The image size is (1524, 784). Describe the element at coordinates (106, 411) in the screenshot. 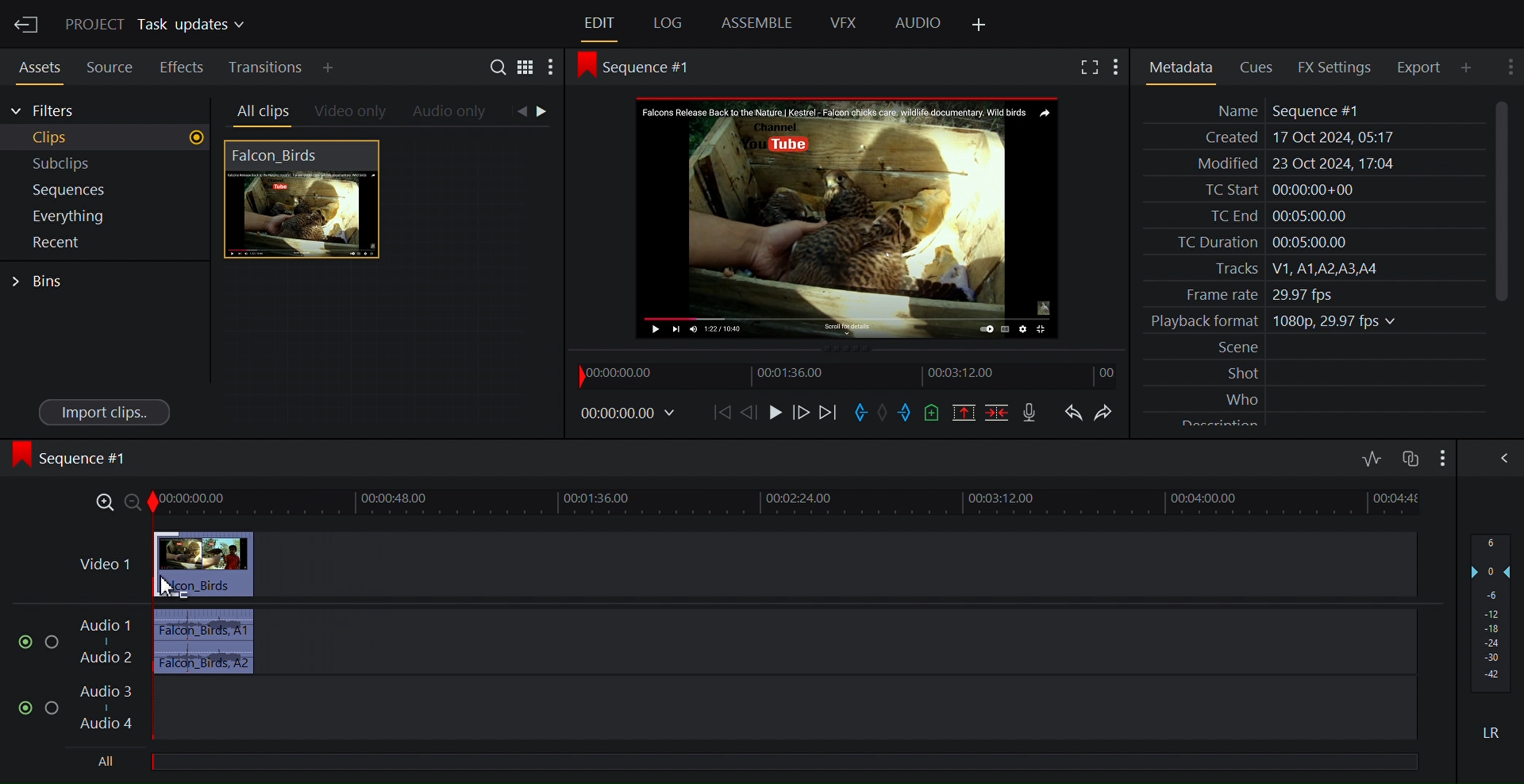

I see `Import clips` at that location.